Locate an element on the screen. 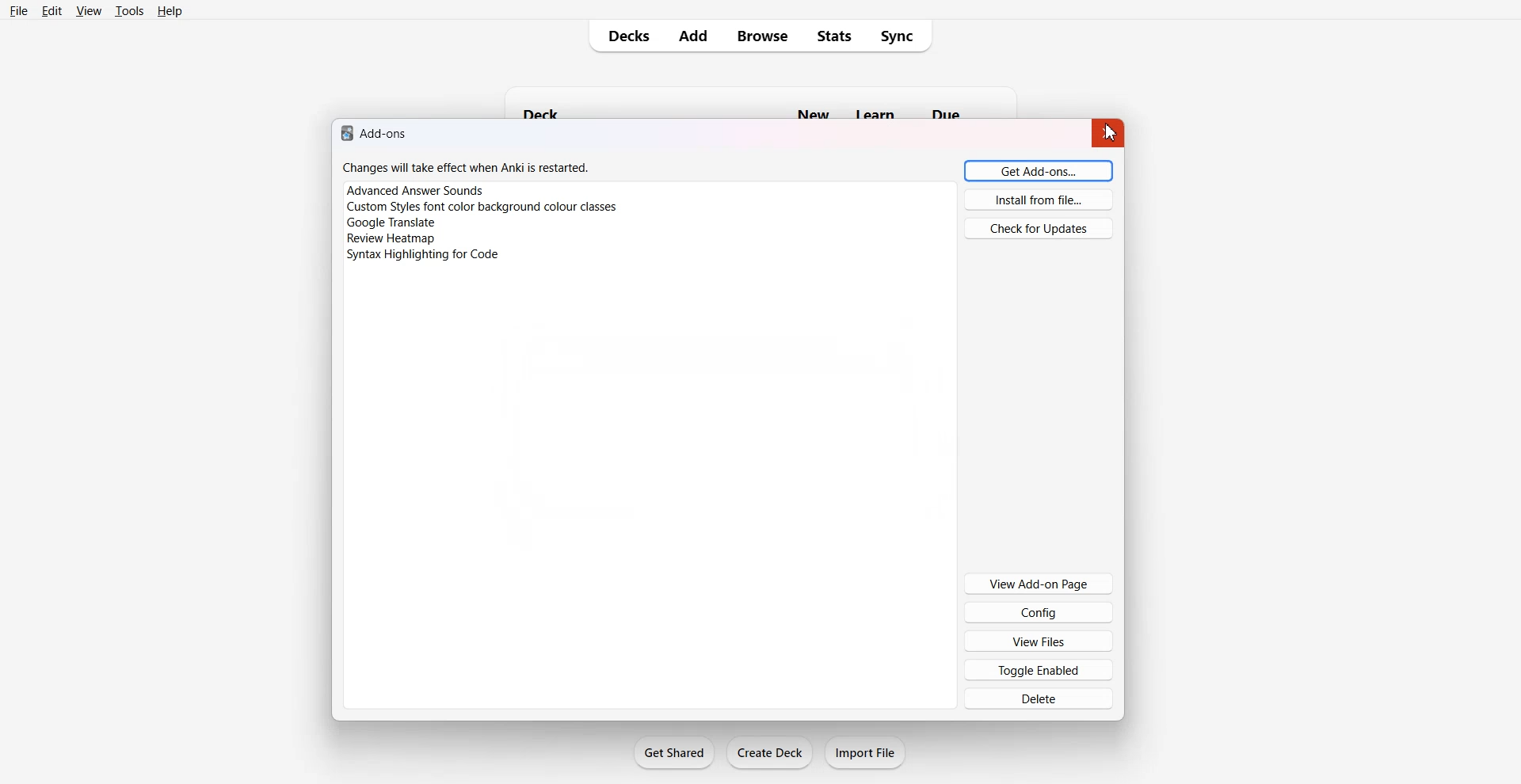 Image resolution: width=1521 pixels, height=784 pixels. Browse is located at coordinates (763, 36).